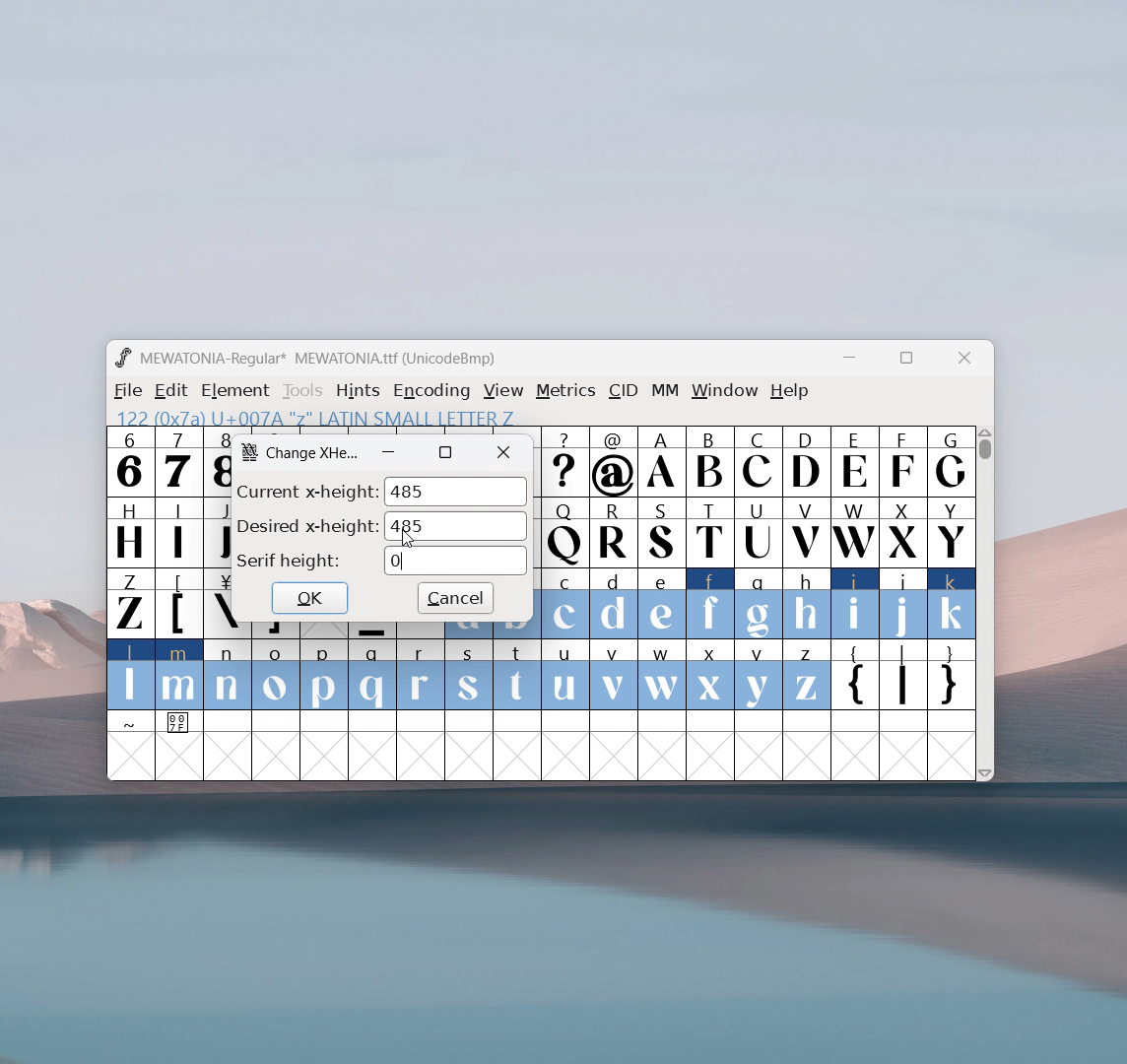 The height and width of the screenshot is (1064, 1127). Describe the element at coordinates (903, 531) in the screenshot. I see `X` at that location.